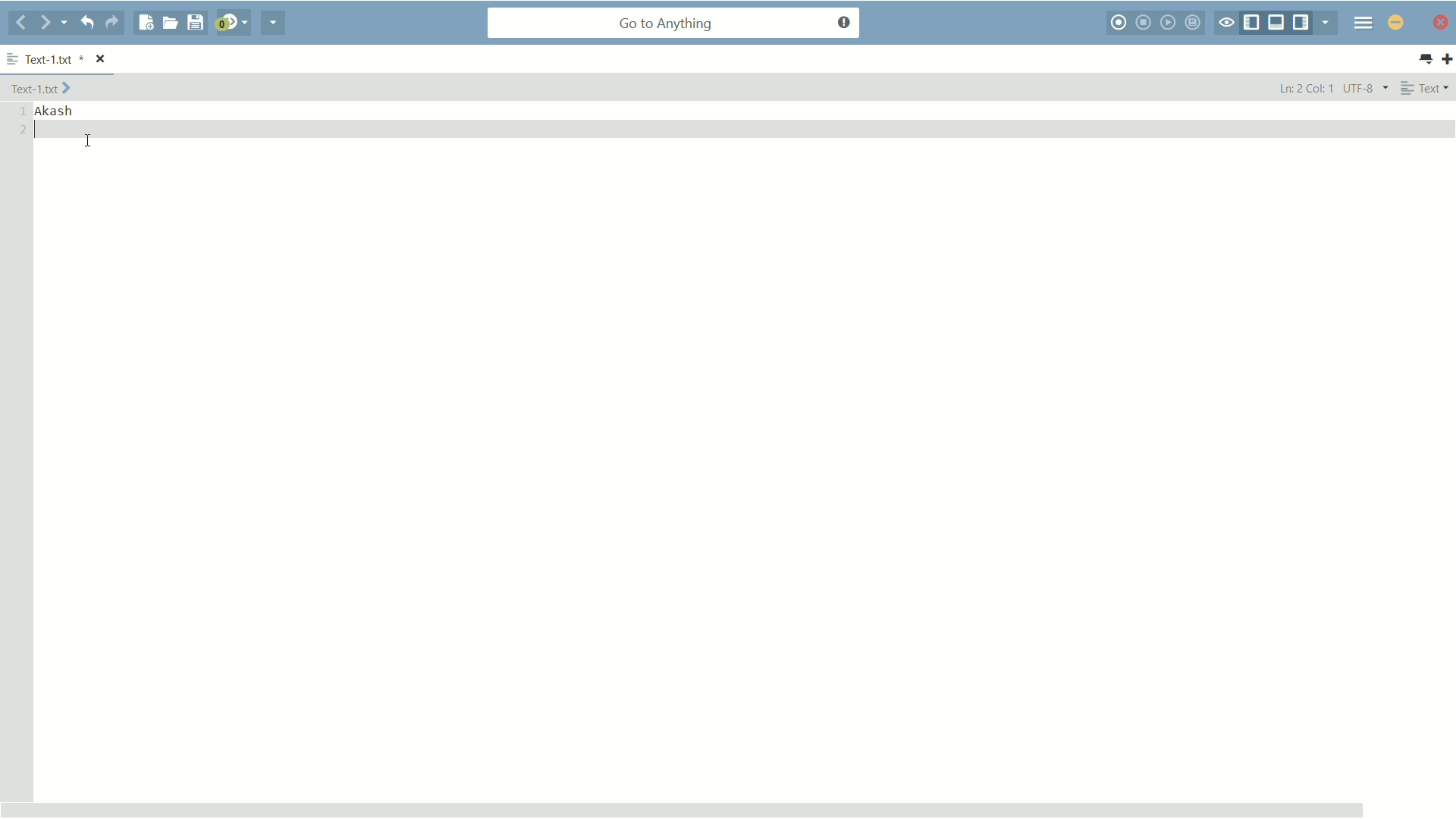 The height and width of the screenshot is (819, 1456). Describe the element at coordinates (1144, 23) in the screenshot. I see `stop macro` at that location.